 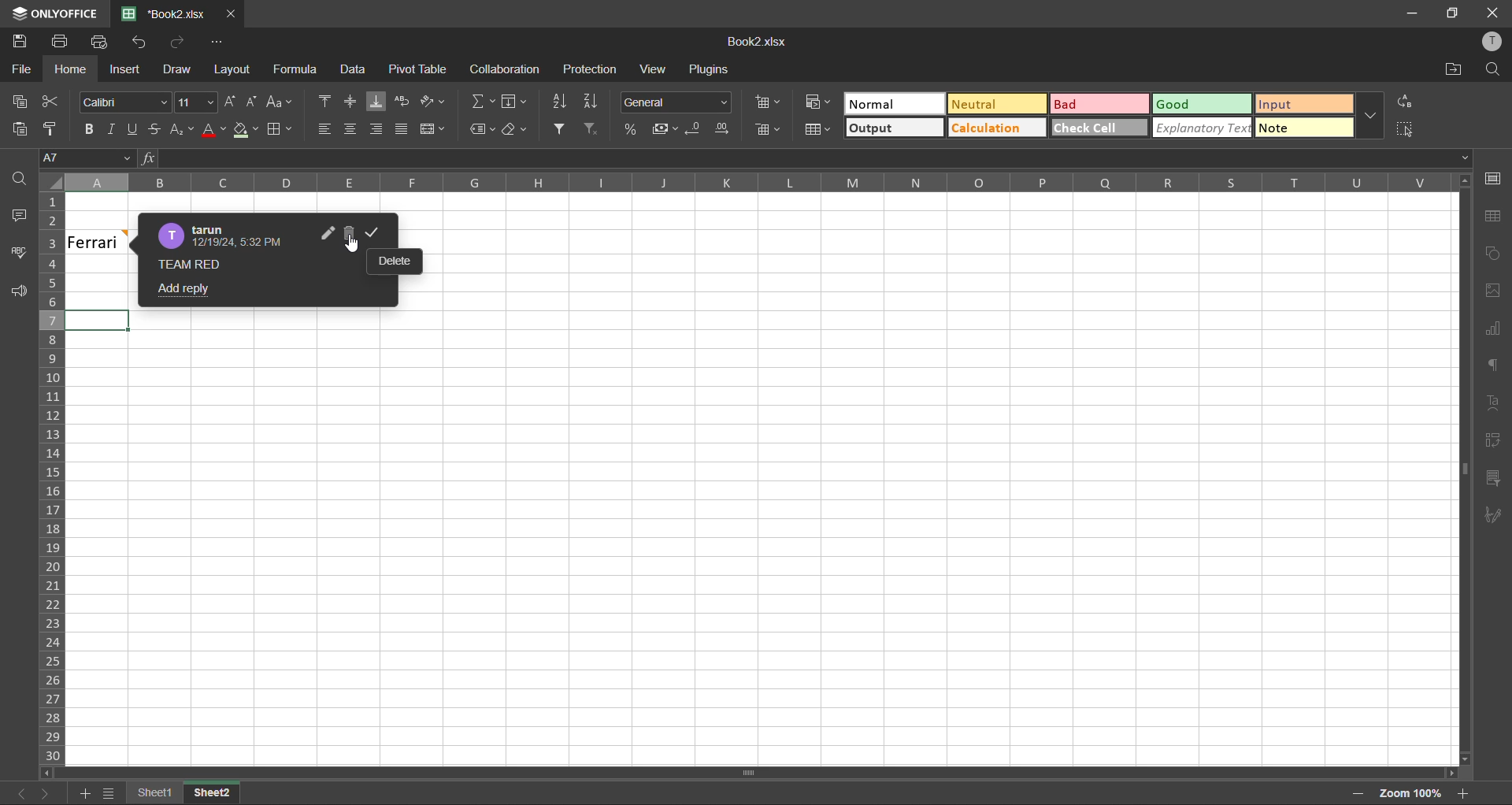 What do you see at coordinates (24, 105) in the screenshot?
I see `copy` at bounding box center [24, 105].